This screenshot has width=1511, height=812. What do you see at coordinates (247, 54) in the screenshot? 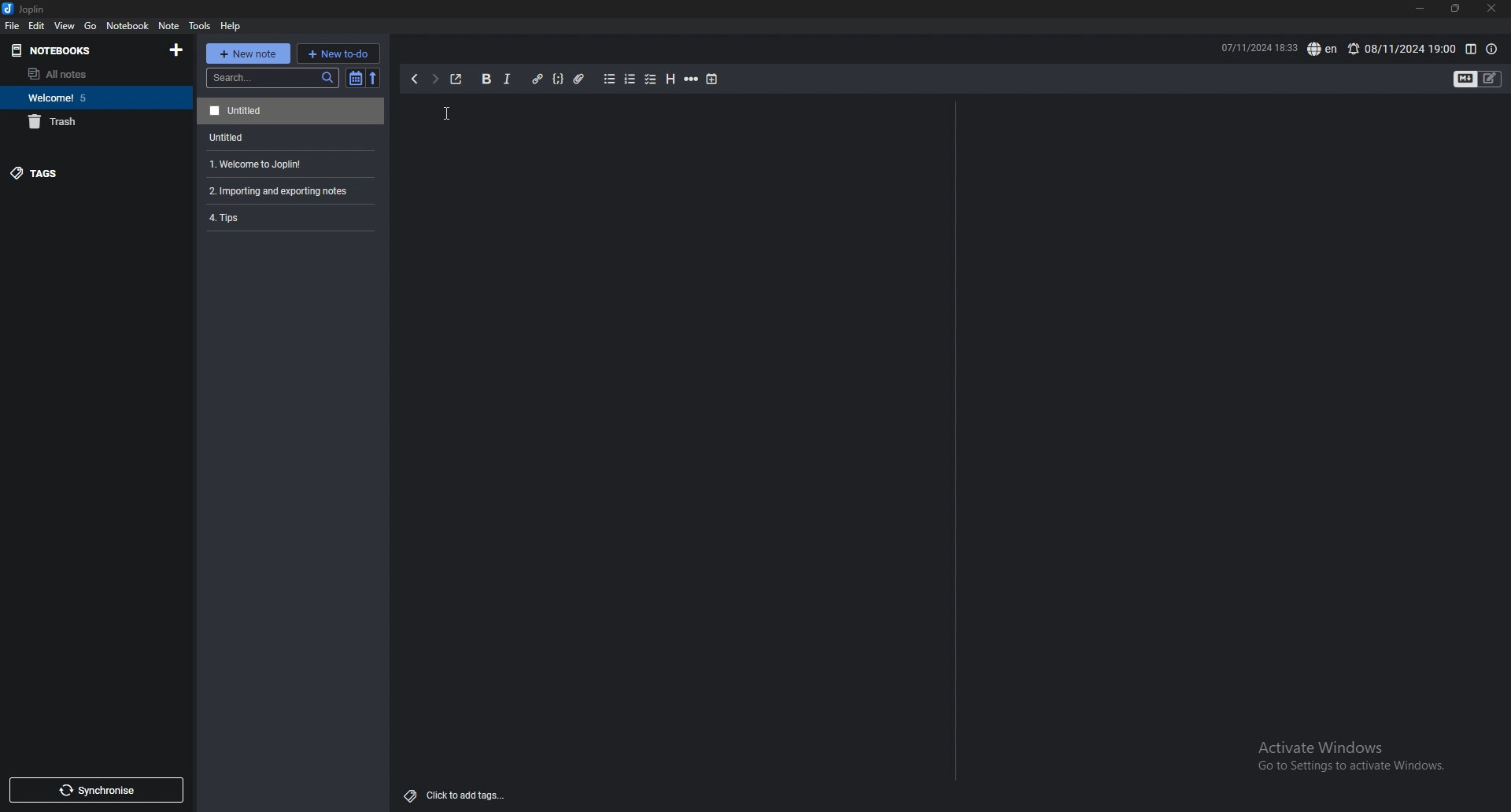
I see `new note` at bounding box center [247, 54].